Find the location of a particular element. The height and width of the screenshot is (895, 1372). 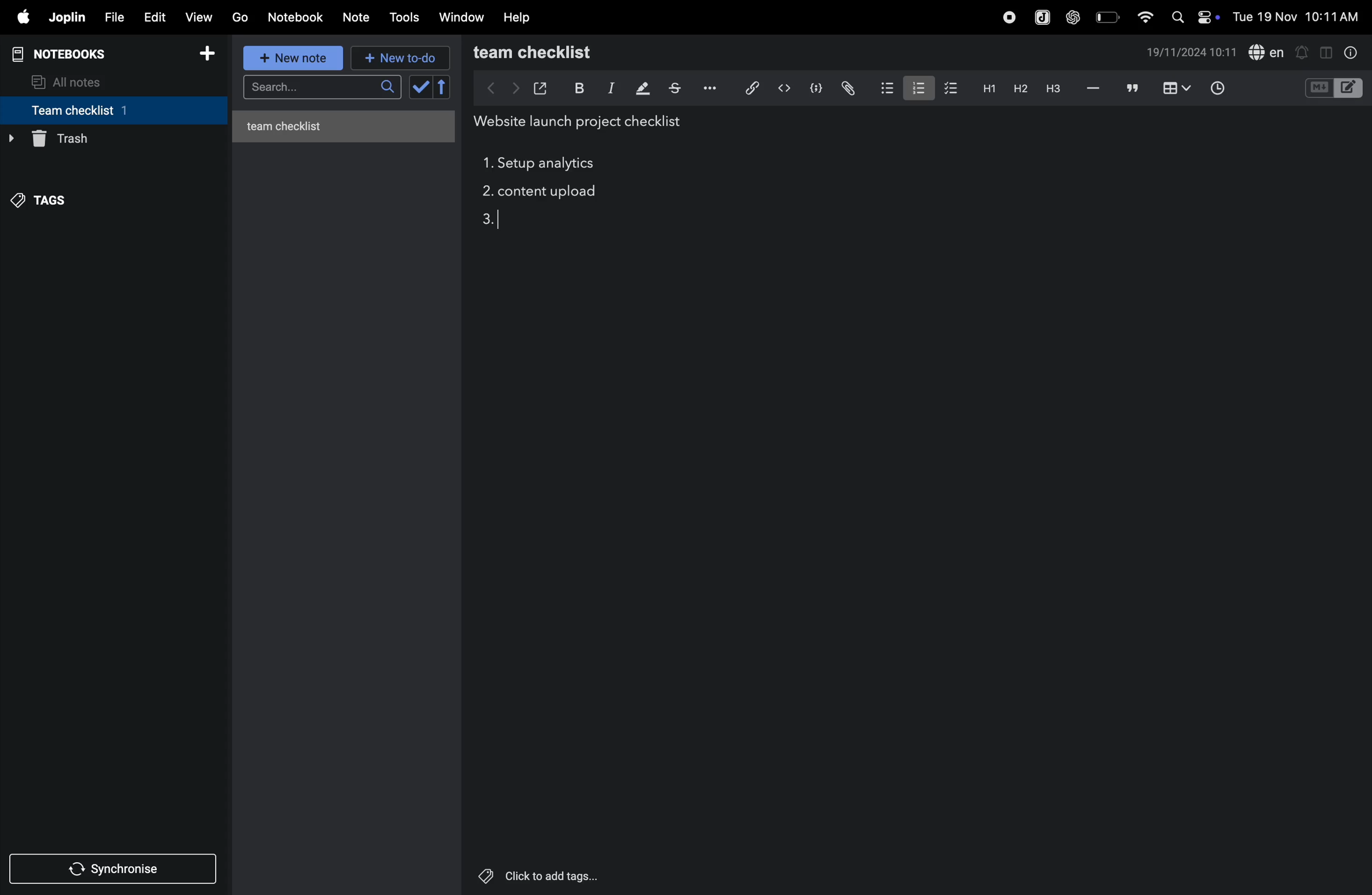

attach file is located at coordinates (847, 88).